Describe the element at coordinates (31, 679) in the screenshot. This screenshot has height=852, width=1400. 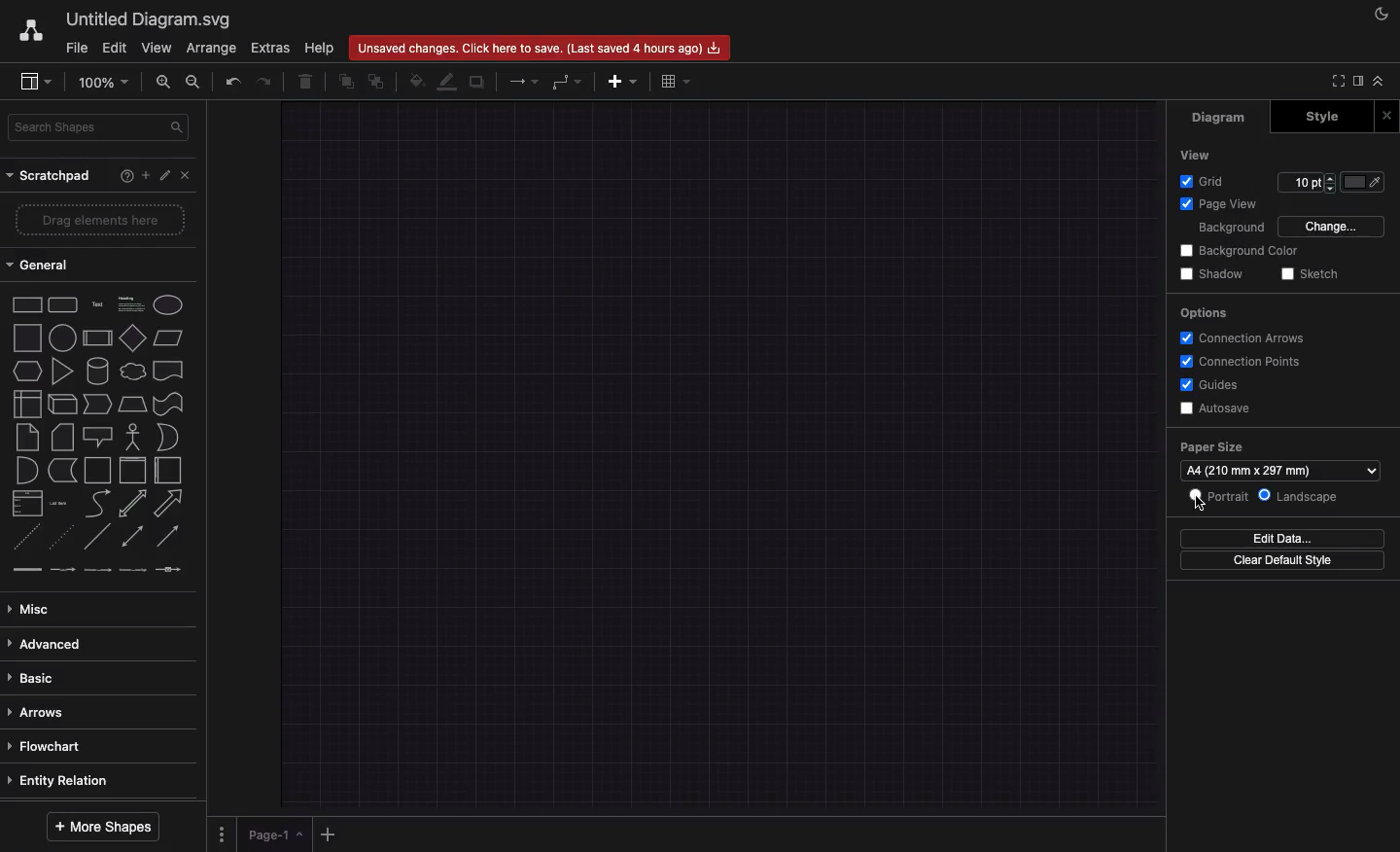
I see `Basic` at that location.